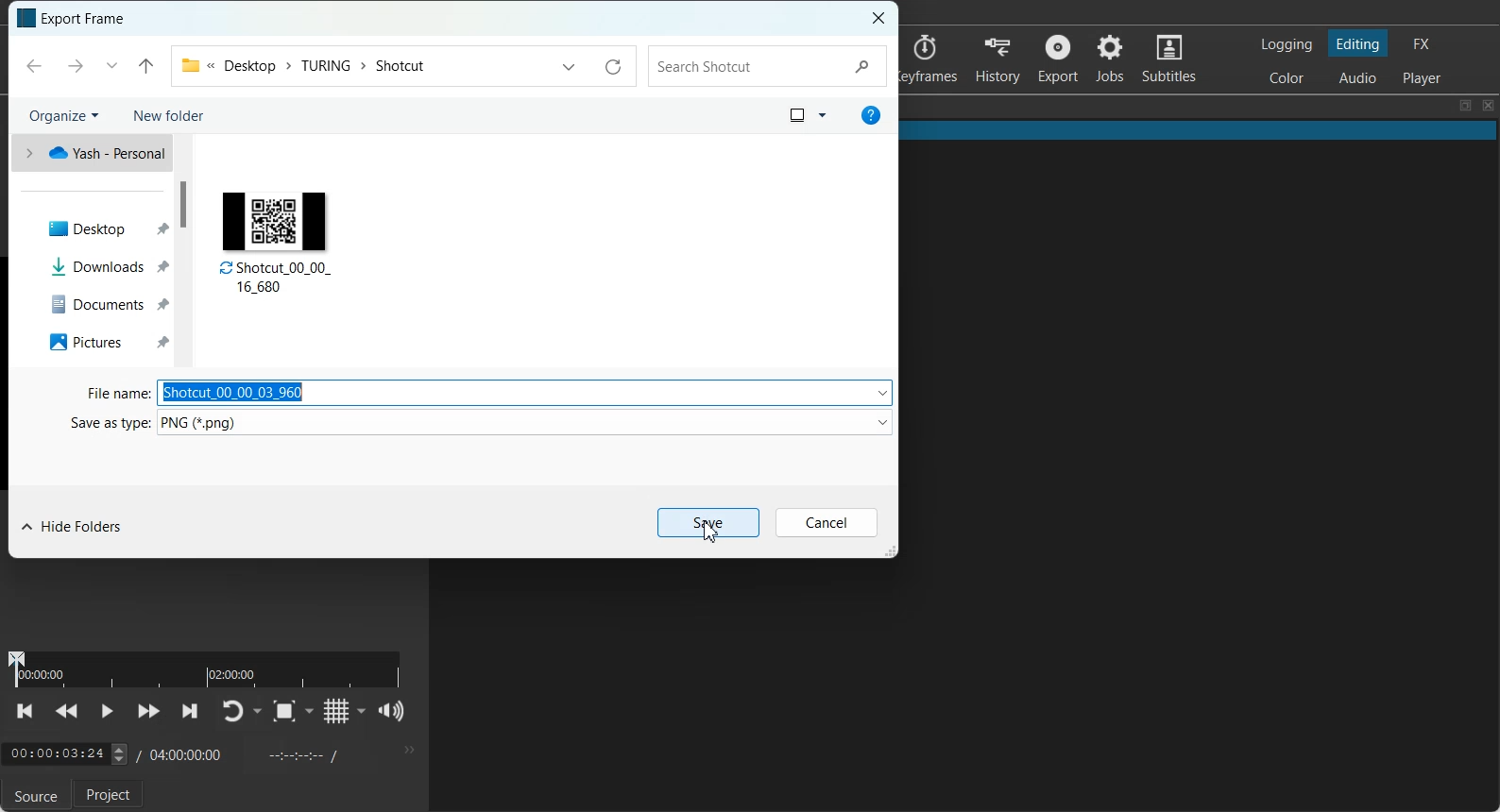 This screenshot has height=812, width=1500. I want to click on Drop down box, so click(362, 710).